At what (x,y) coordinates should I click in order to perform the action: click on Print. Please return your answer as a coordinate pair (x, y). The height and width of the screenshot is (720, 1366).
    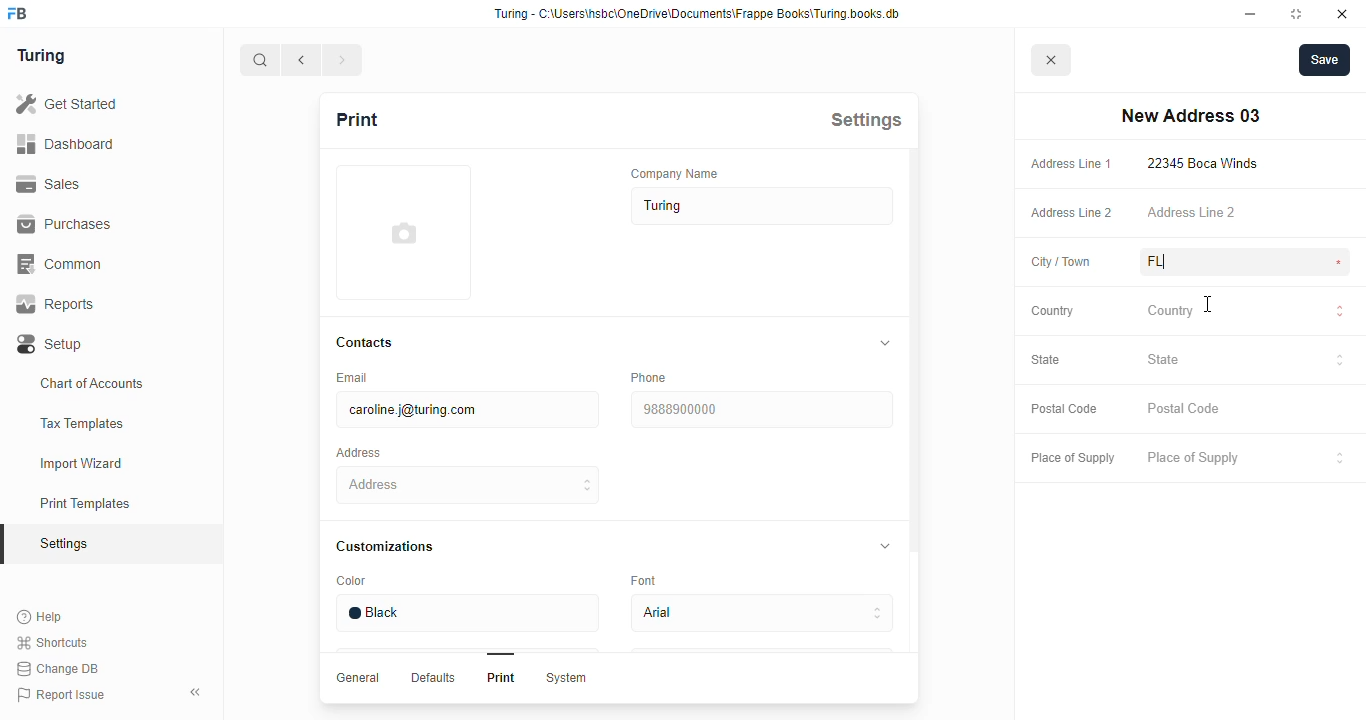
    Looking at the image, I should click on (501, 677).